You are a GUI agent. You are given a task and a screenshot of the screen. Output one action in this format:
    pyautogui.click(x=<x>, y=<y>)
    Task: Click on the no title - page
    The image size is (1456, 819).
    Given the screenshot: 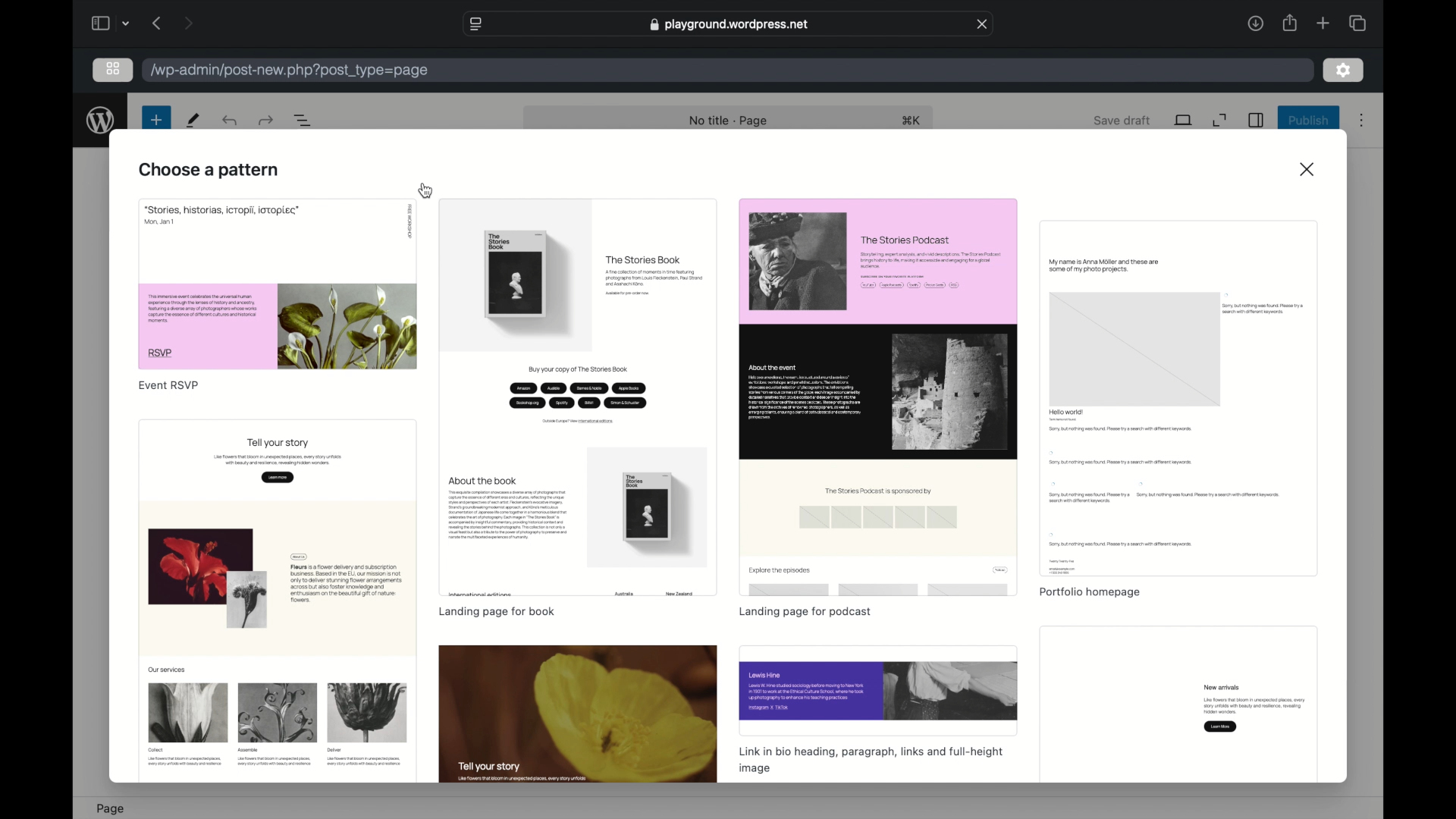 What is the action you would take?
    pyautogui.click(x=730, y=121)
    